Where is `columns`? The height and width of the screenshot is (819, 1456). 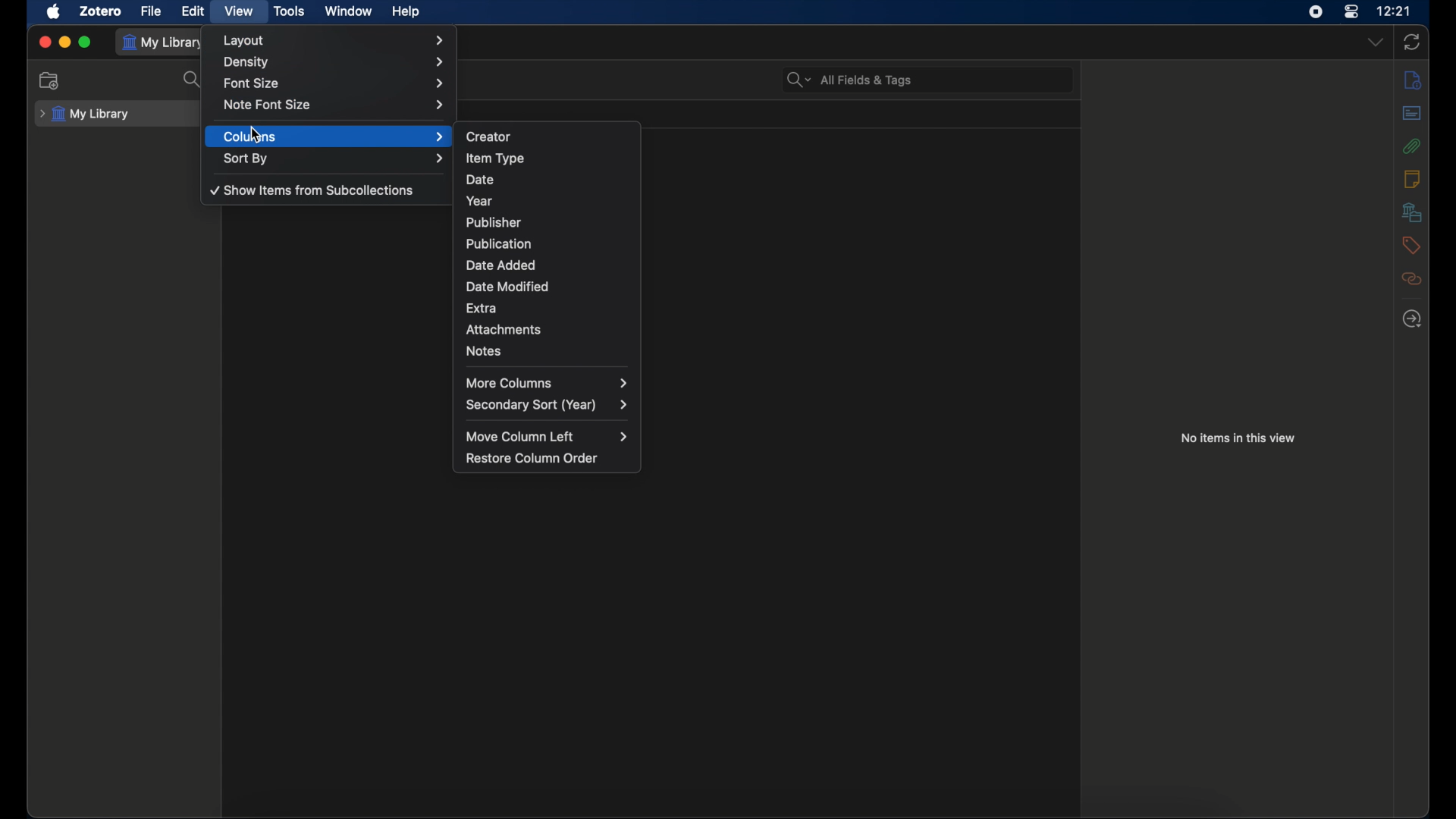 columns is located at coordinates (335, 137).